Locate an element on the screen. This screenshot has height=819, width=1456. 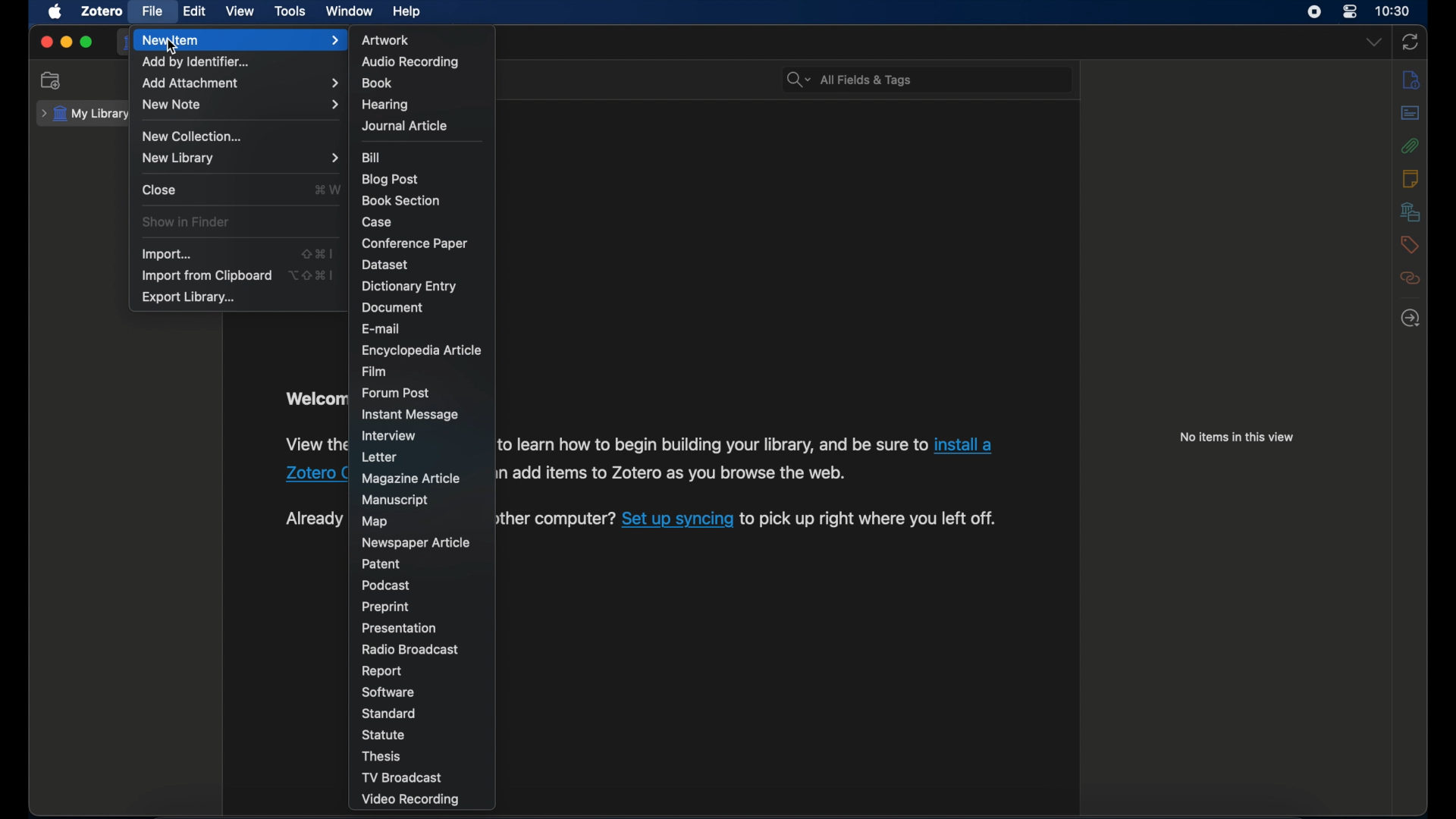
thesis is located at coordinates (383, 755).